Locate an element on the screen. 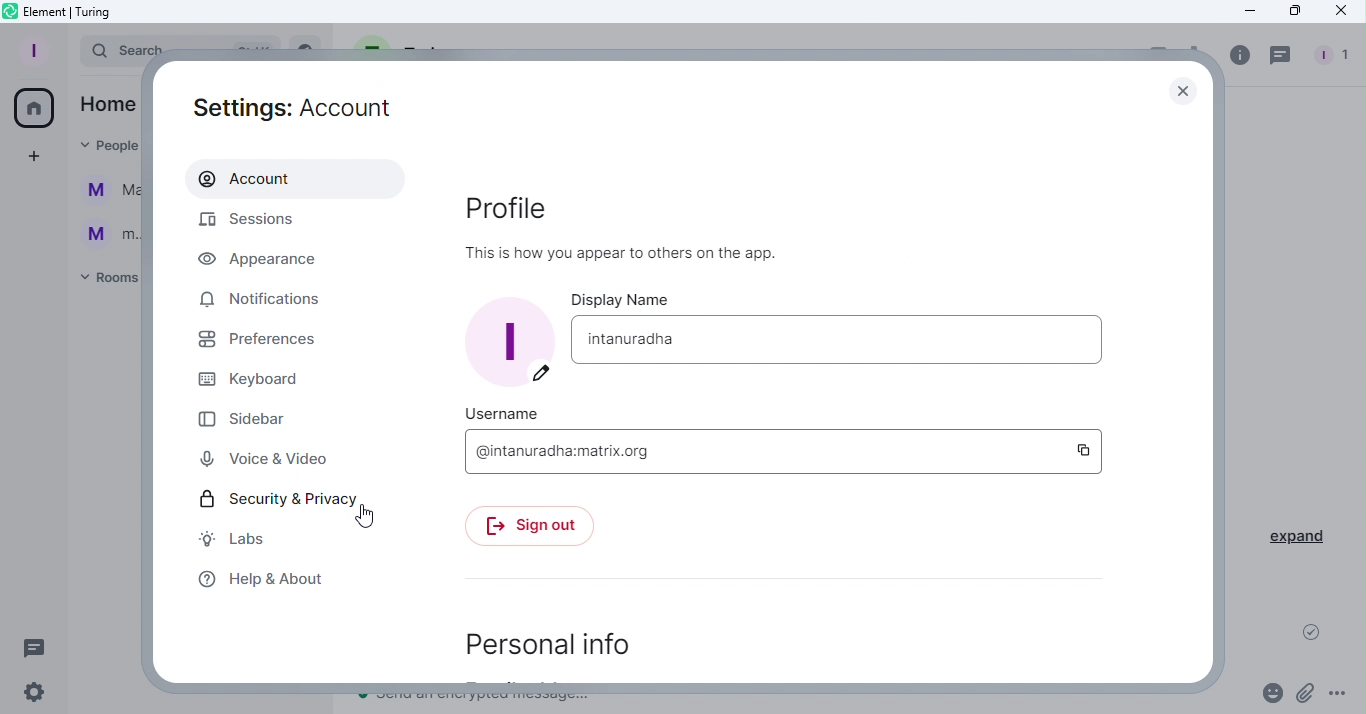 The width and height of the screenshot is (1366, 714). Settings: Account is located at coordinates (279, 106).